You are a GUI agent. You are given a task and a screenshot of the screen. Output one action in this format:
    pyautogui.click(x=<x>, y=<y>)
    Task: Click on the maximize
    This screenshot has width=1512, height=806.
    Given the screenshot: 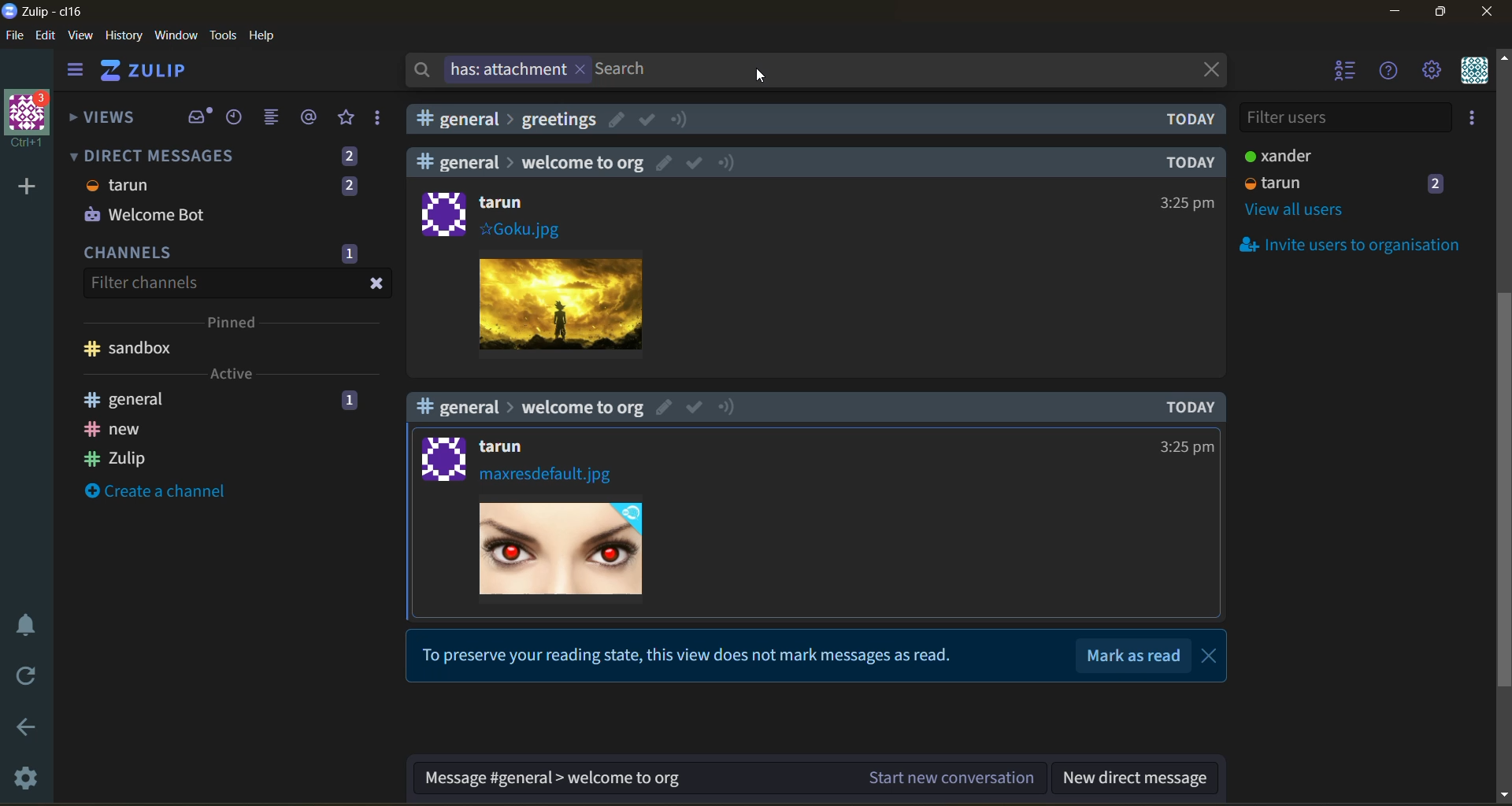 What is the action you would take?
    pyautogui.click(x=1444, y=12)
    